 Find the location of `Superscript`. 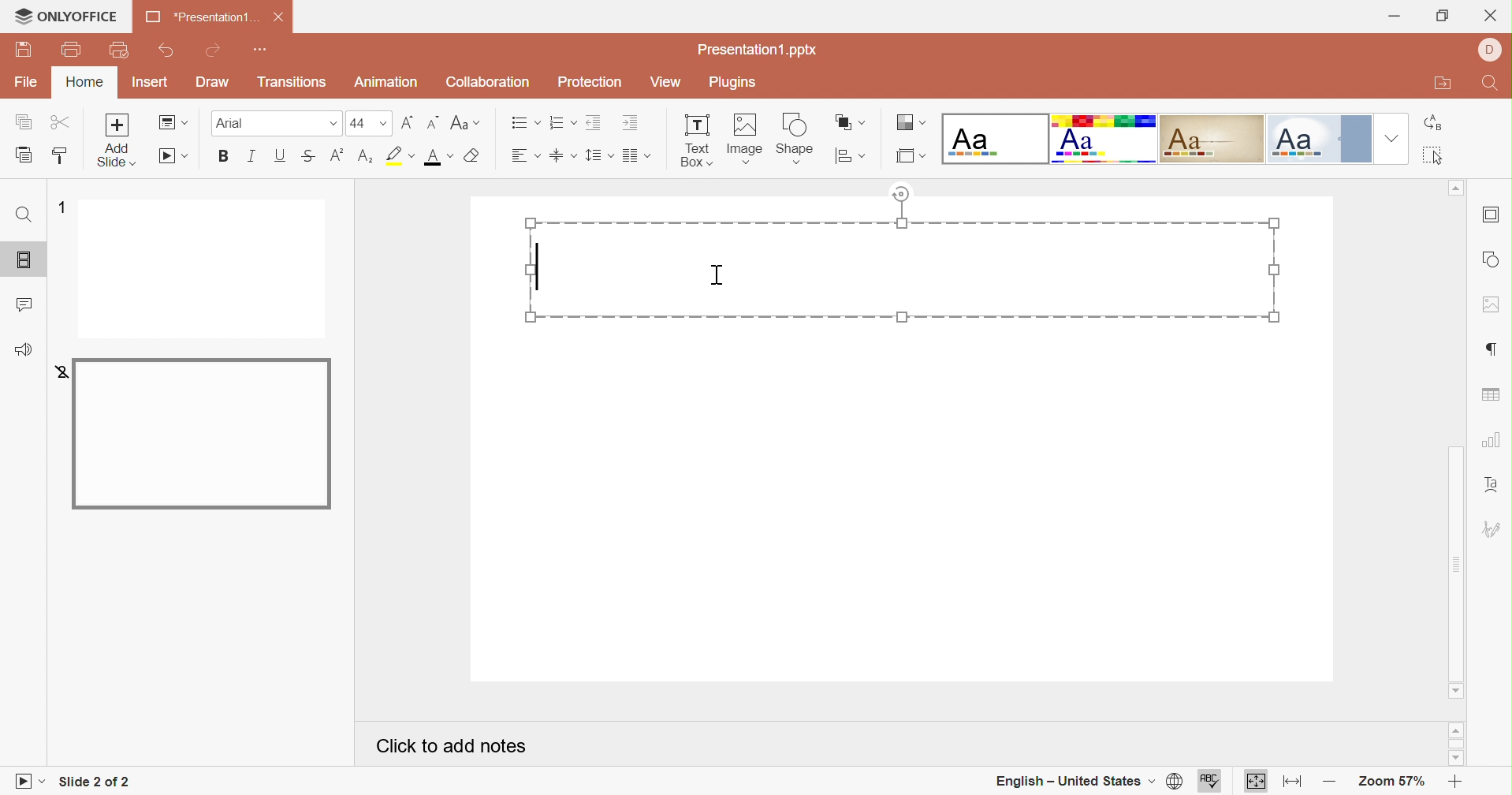

Superscript is located at coordinates (336, 155).